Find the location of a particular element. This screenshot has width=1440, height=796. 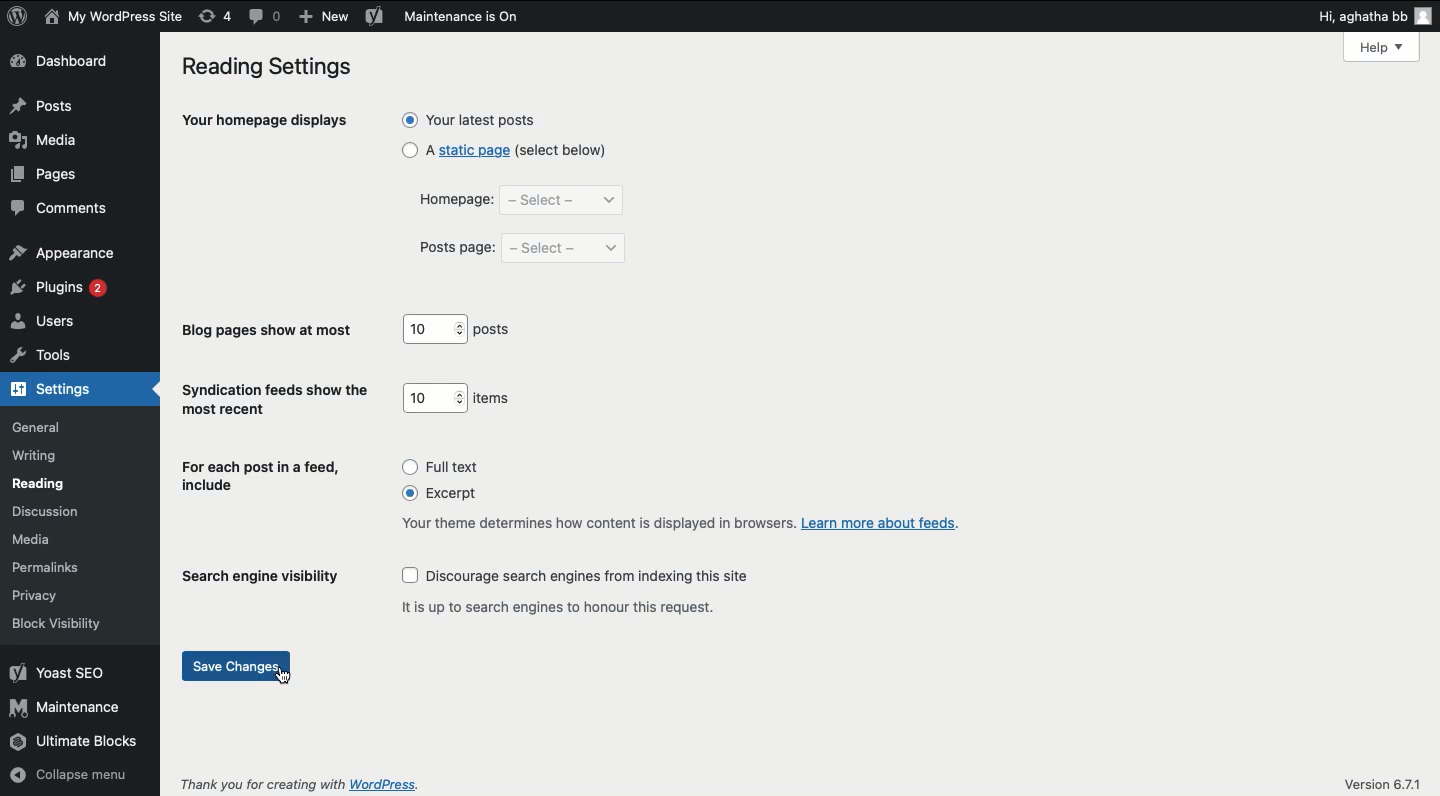

10 is located at coordinates (436, 327).